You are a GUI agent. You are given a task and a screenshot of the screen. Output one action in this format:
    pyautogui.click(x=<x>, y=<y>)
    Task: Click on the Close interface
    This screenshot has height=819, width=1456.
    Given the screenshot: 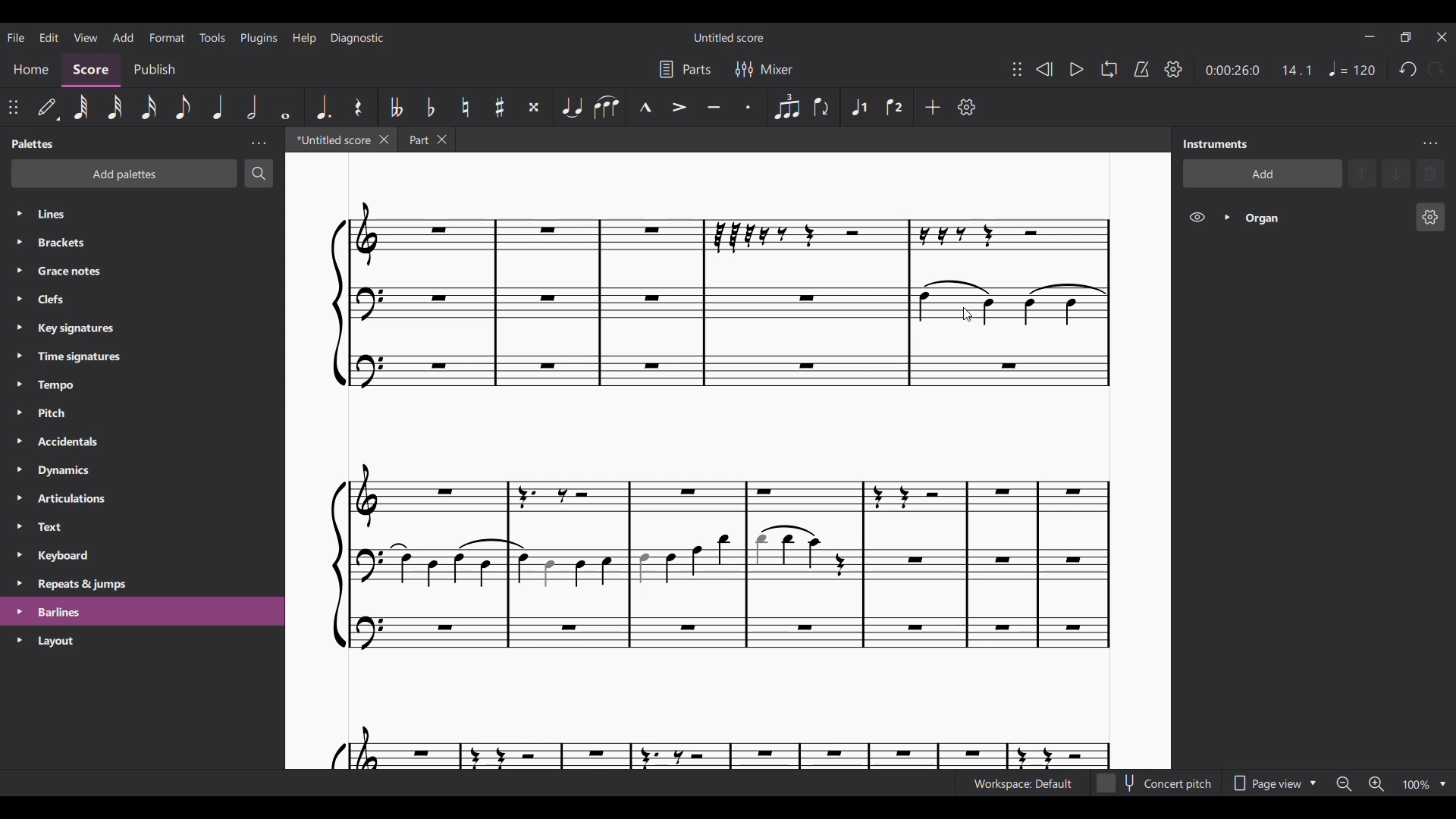 What is the action you would take?
    pyautogui.click(x=1442, y=36)
    